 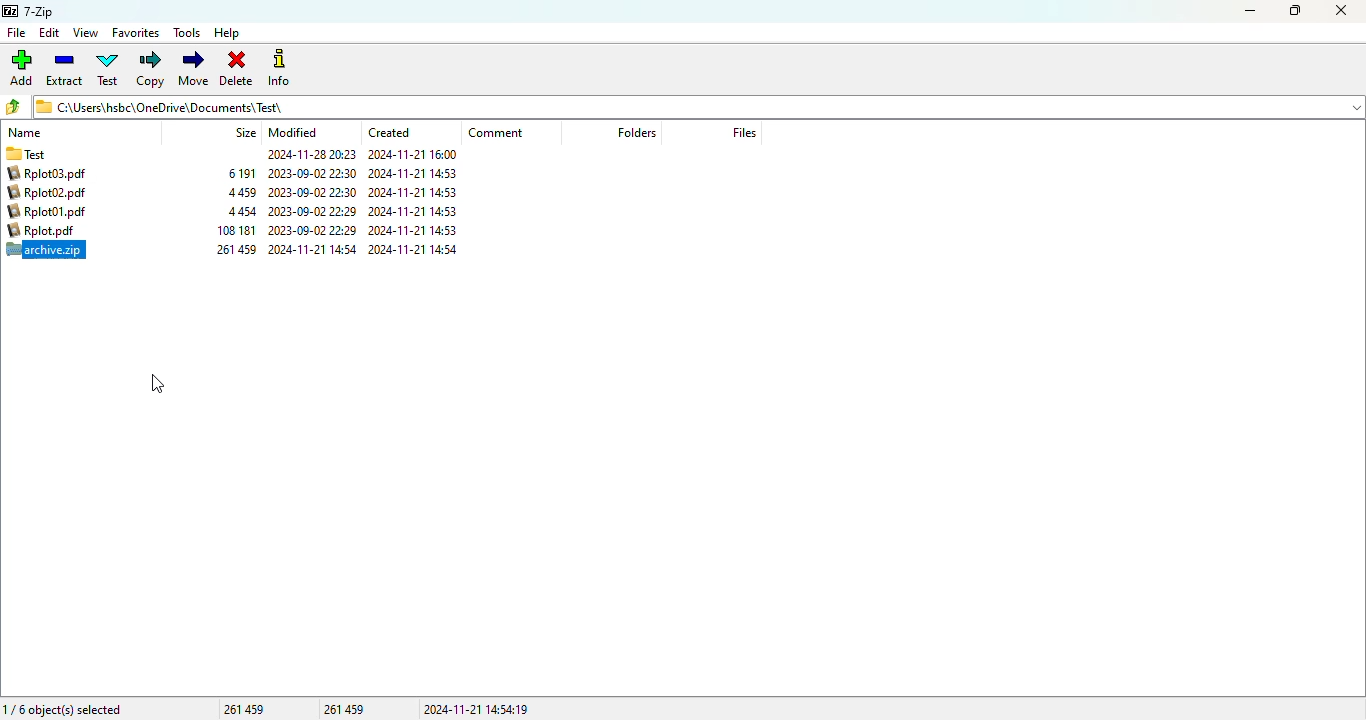 What do you see at coordinates (22, 68) in the screenshot?
I see `add` at bounding box center [22, 68].